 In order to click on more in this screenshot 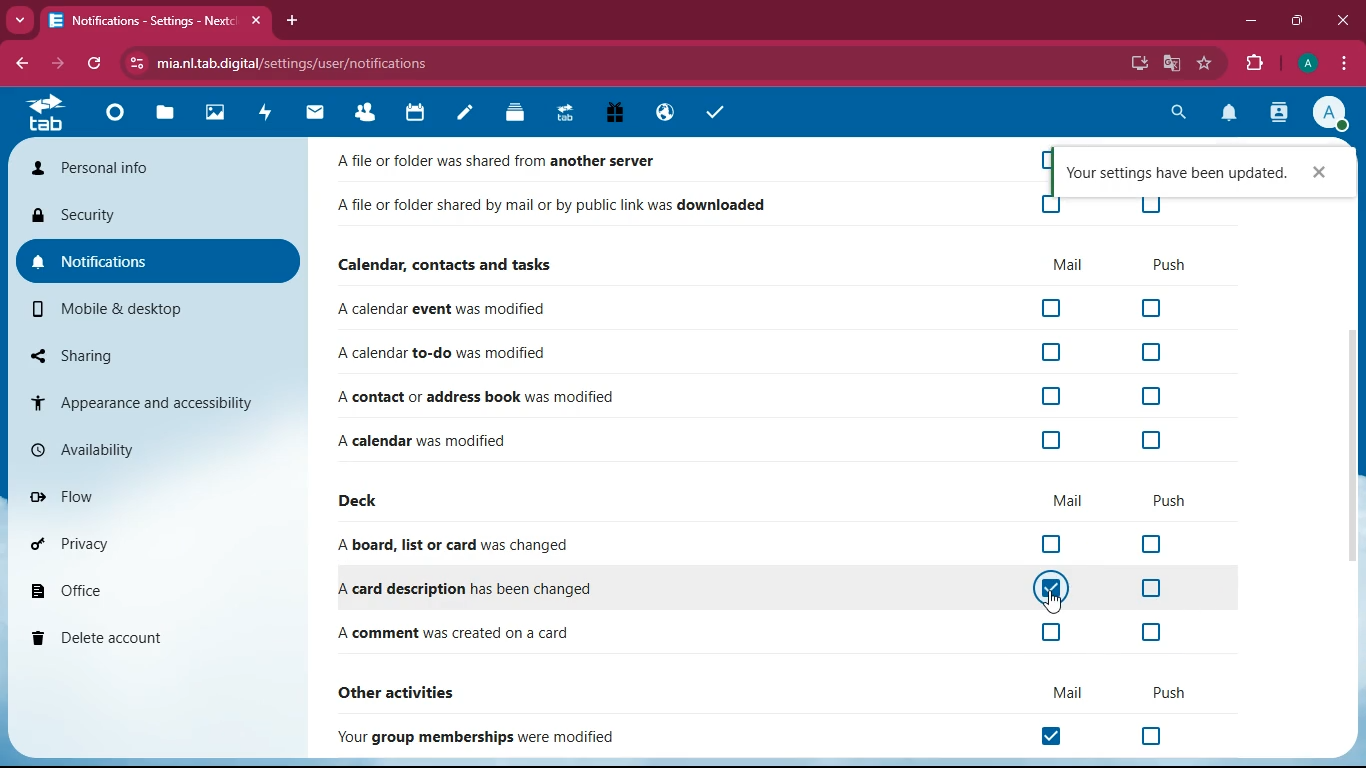, I will do `click(17, 20)`.